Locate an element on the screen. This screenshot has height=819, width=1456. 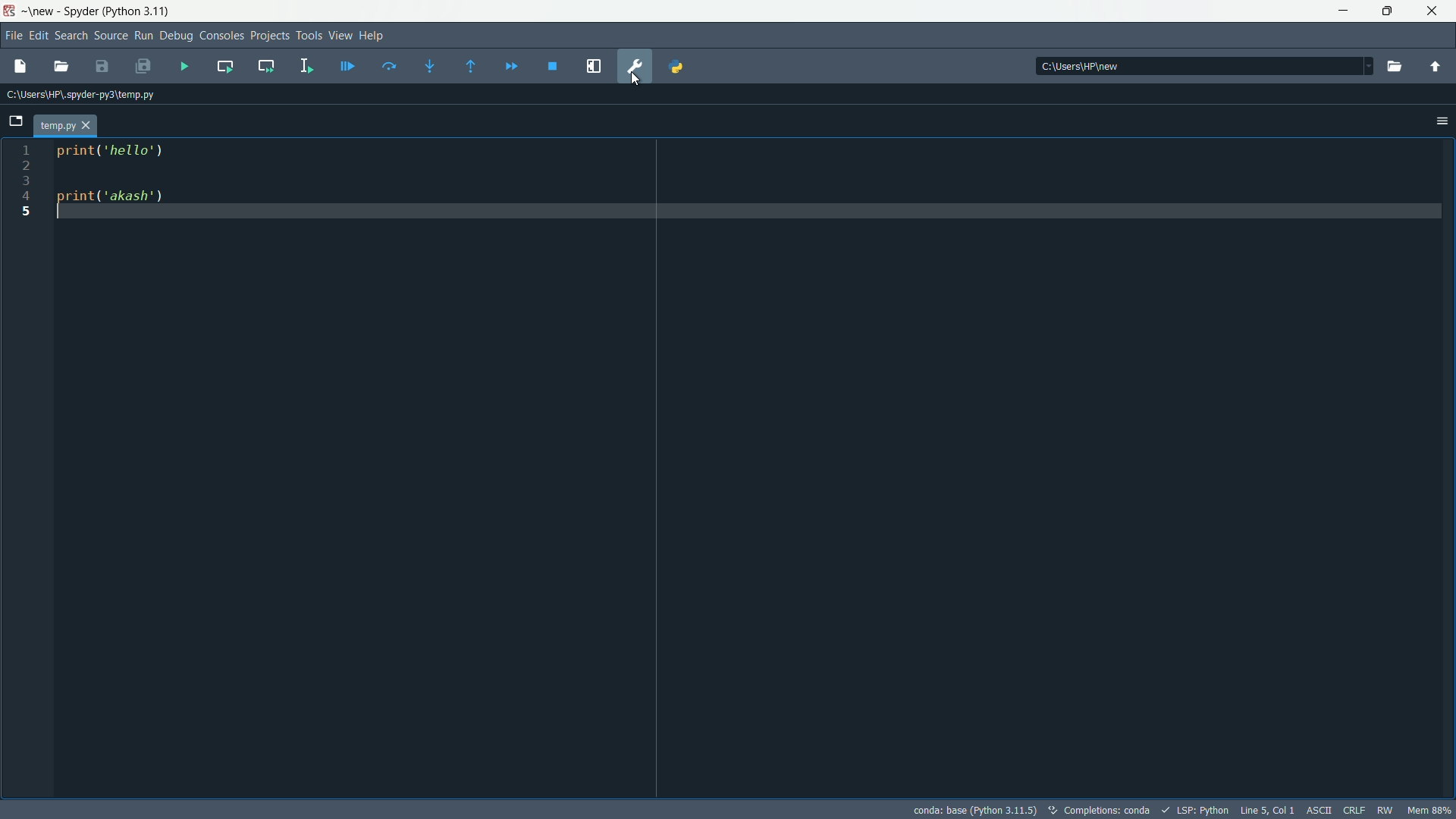
maximize current pane is located at coordinates (598, 67).